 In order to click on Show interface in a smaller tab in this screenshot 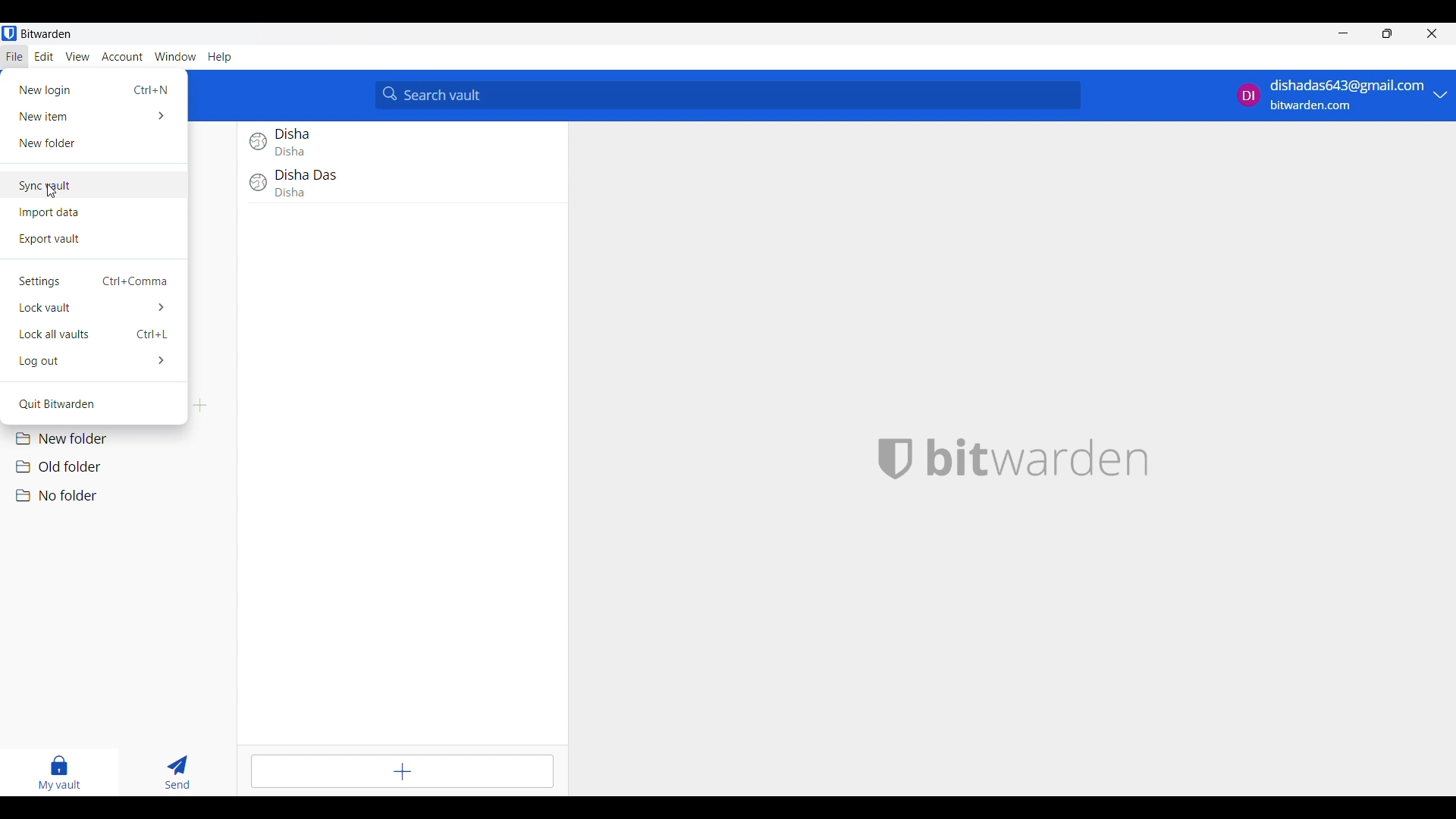, I will do `click(1387, 33)`.